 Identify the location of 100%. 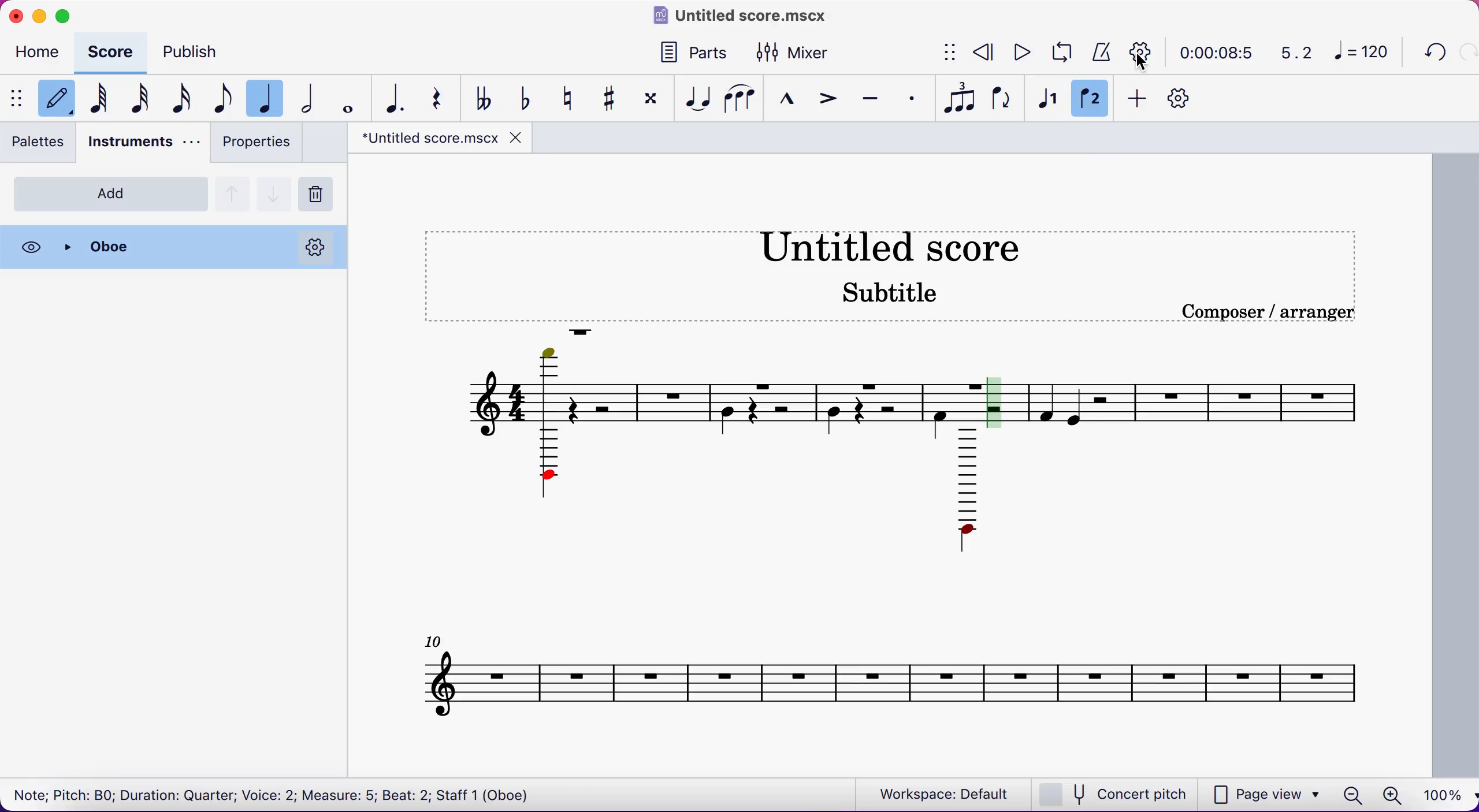
(1439, 793).